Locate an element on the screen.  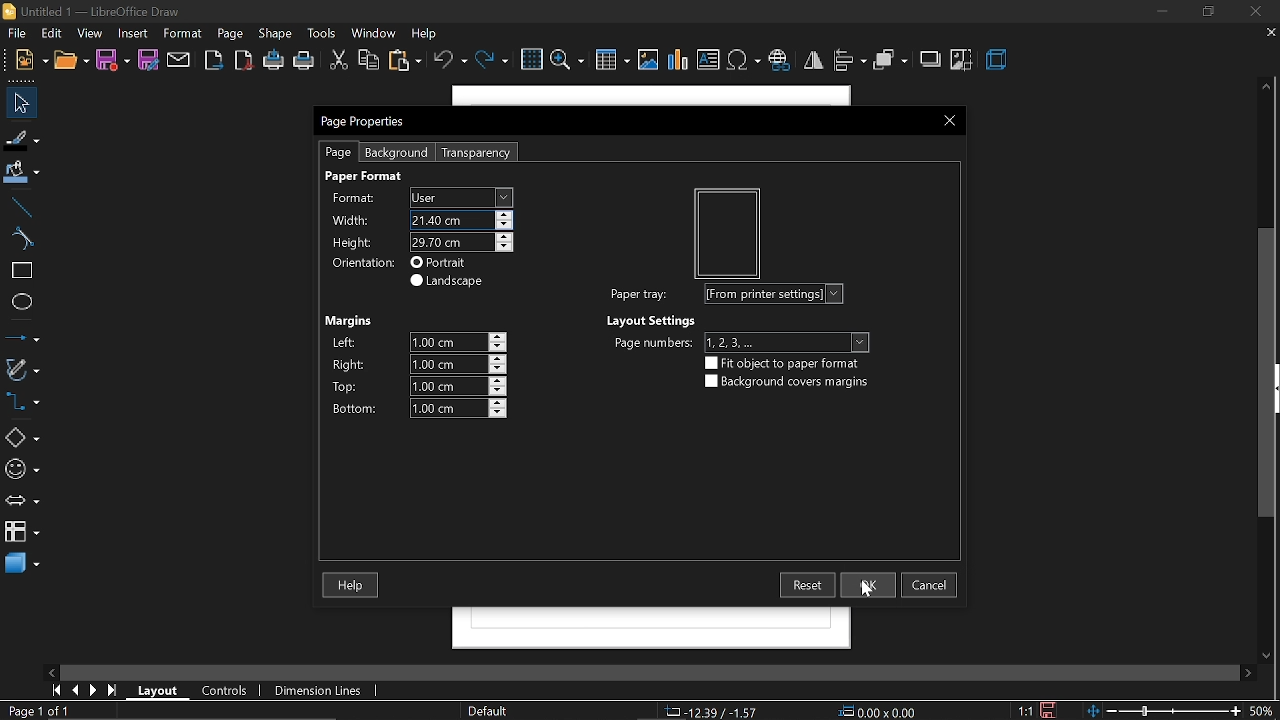
21.40cm is located at coordinates (461, 221).